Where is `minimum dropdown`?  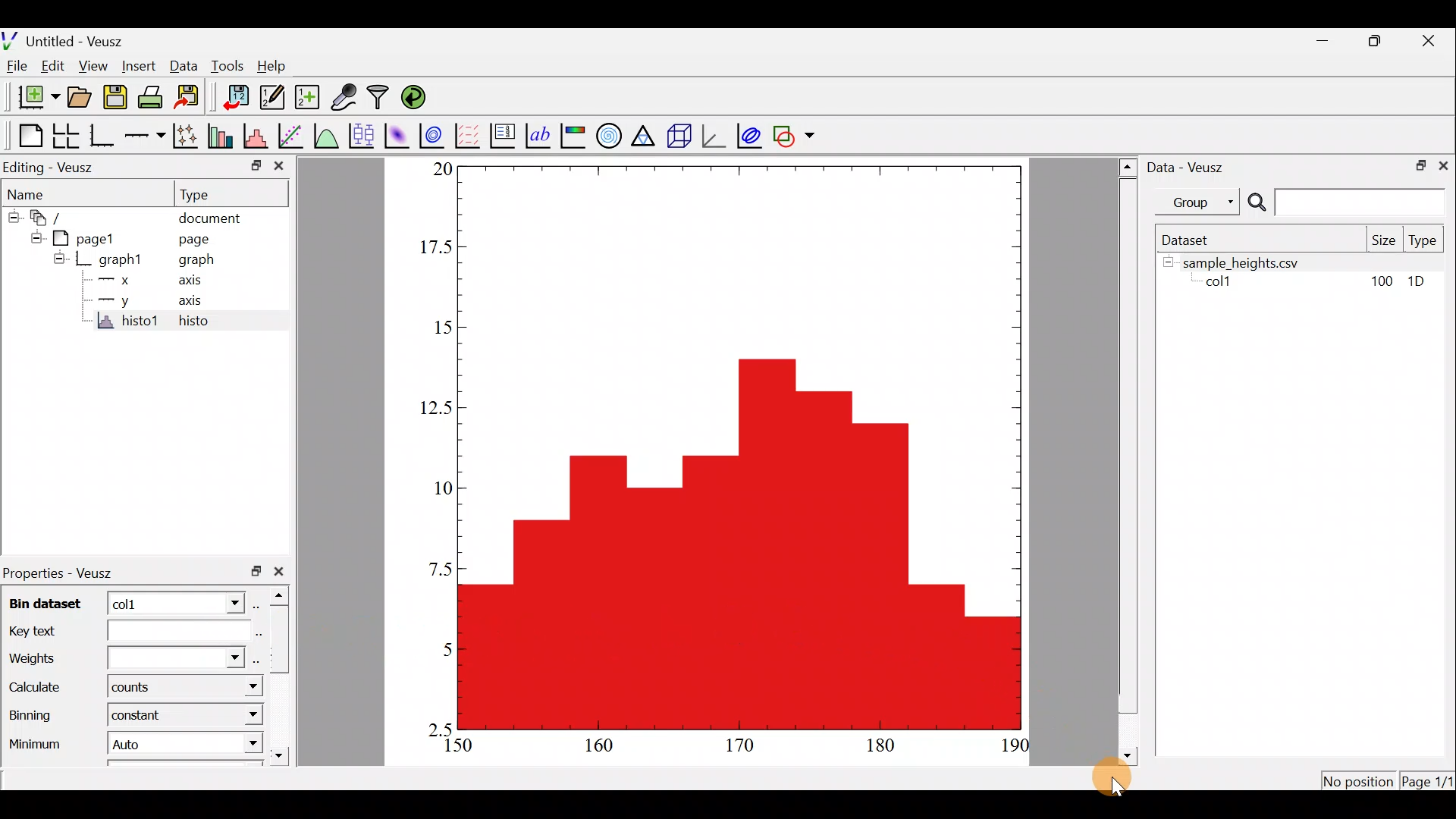 minimum dropdown is located at coordinates (236, 745).